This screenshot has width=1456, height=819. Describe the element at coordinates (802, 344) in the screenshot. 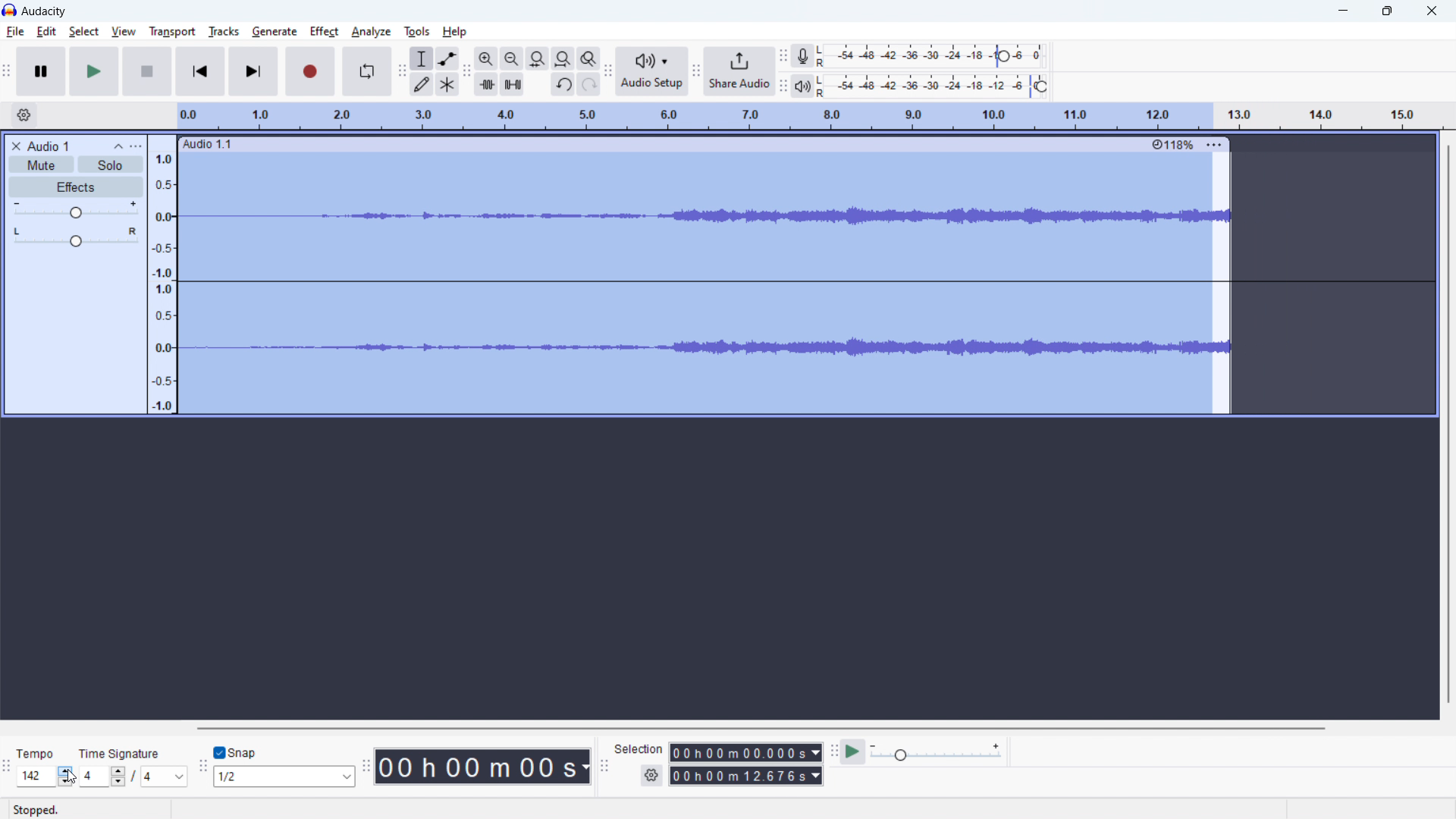

I see `Waveform` at that location.